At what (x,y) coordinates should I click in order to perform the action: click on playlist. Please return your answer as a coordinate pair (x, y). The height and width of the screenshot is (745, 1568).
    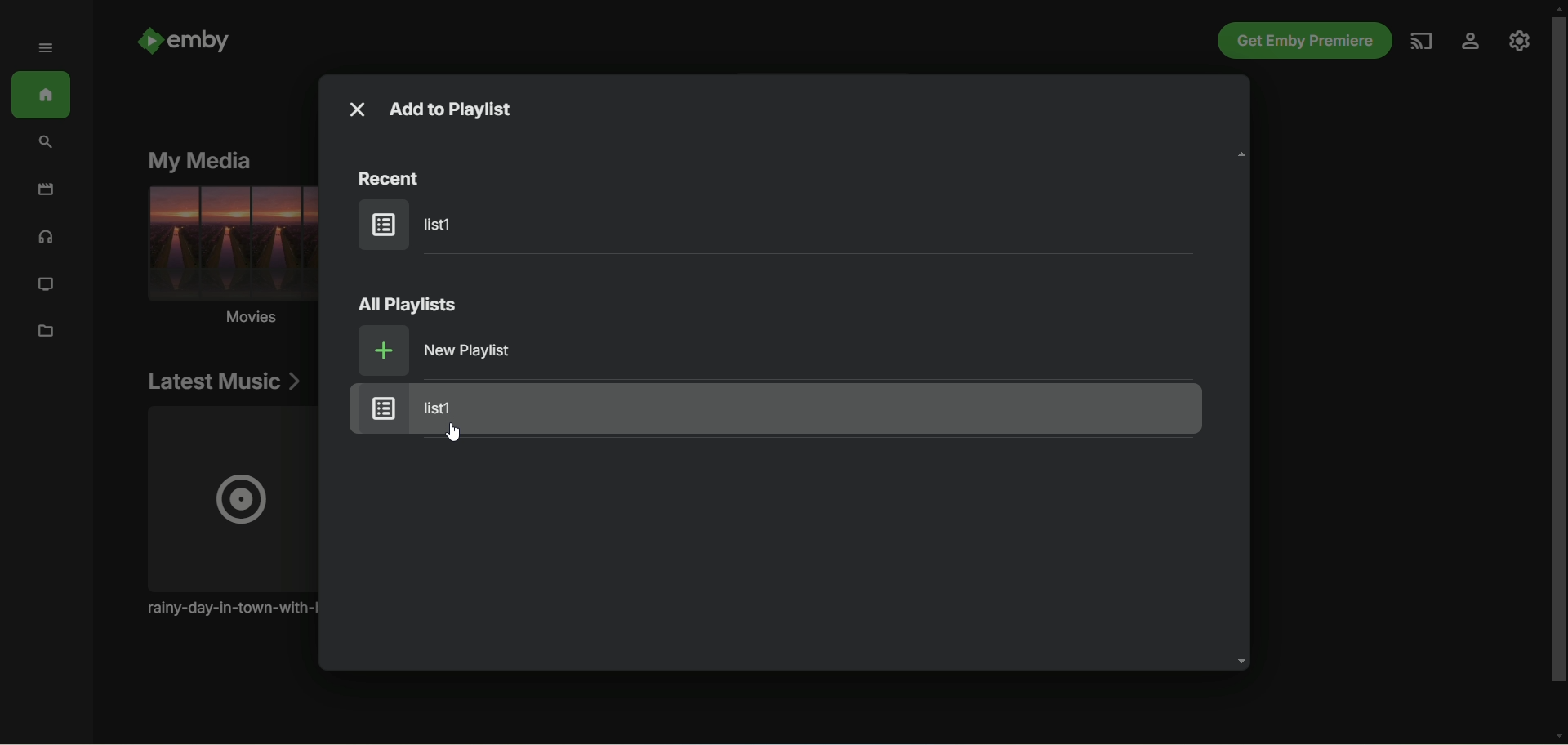
    Looking at the image, I should click on (776, 408).